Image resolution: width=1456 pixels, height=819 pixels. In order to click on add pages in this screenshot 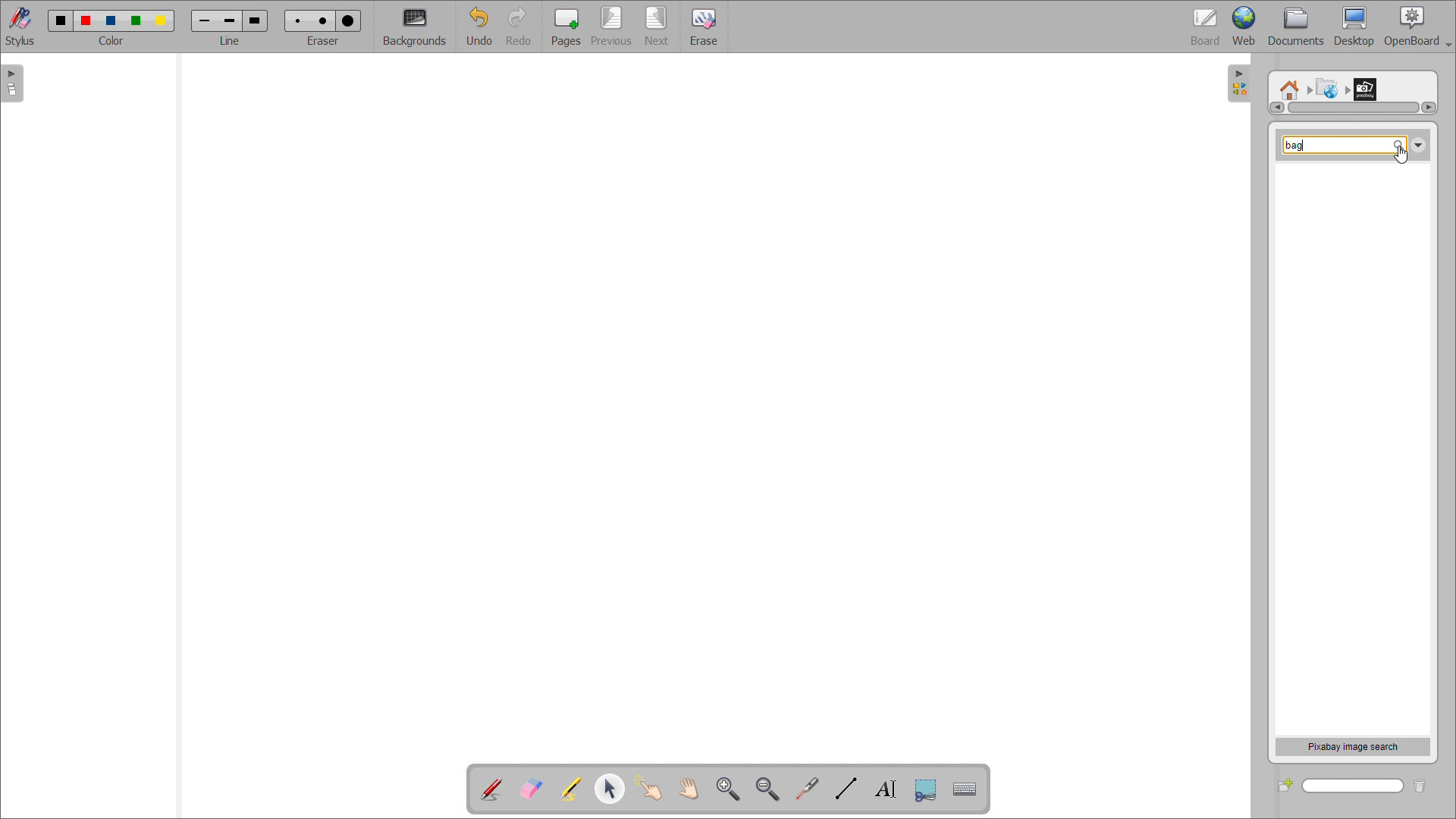, I will do `click(566, 26)`.